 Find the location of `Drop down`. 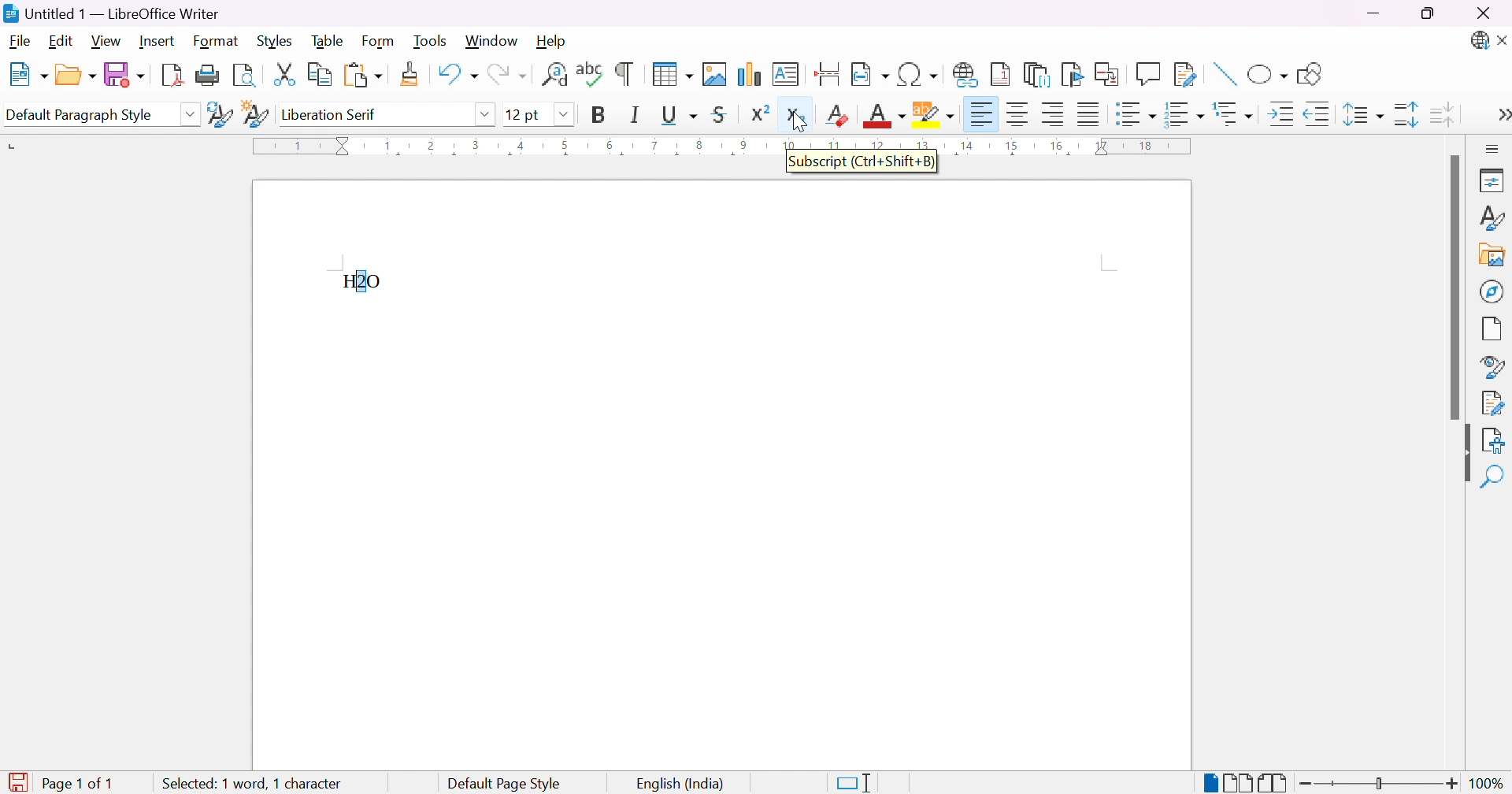

Drop down is located at coordinates (485, 113).